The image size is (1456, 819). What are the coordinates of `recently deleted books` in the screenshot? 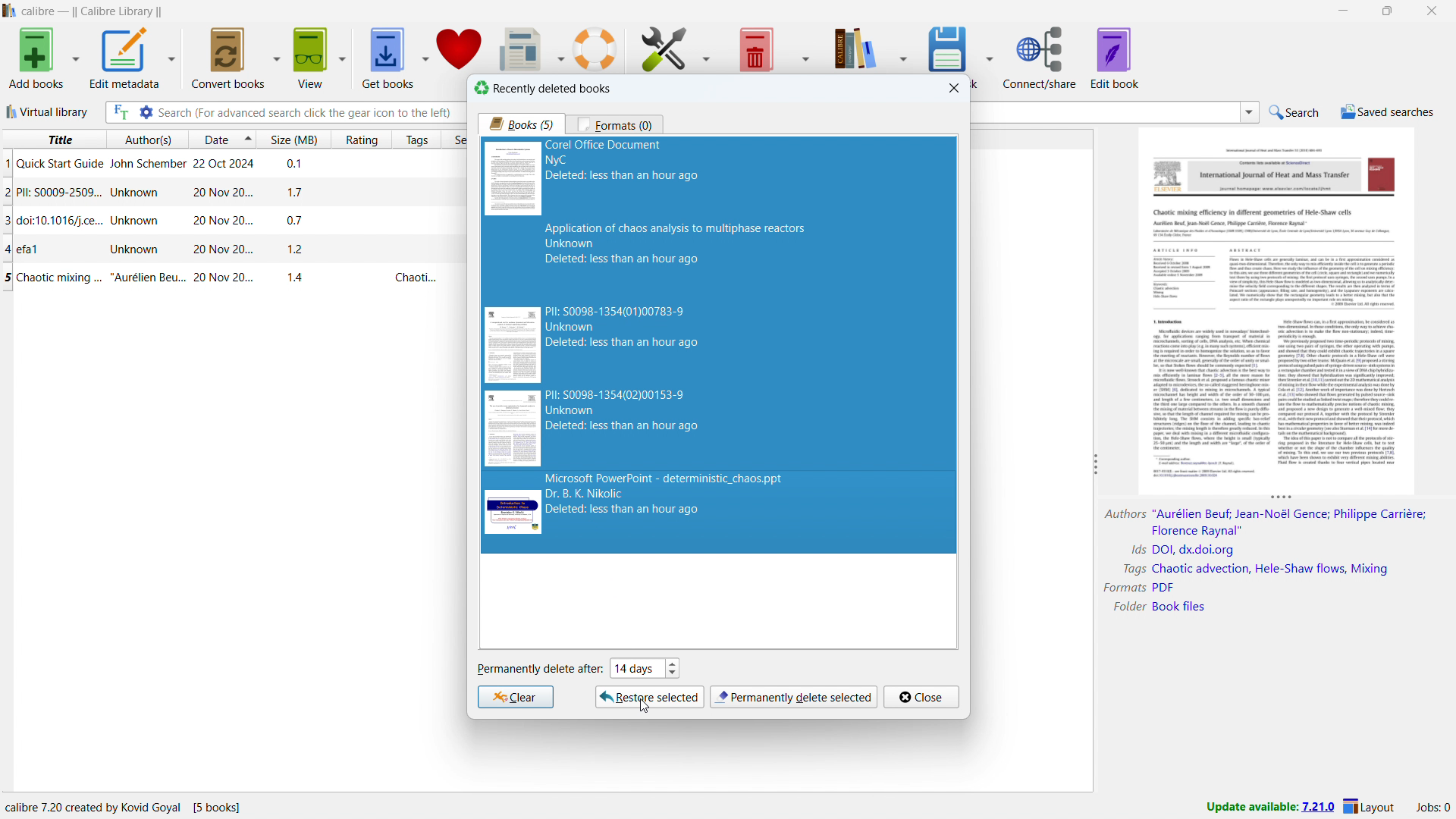 It's located at (542, 88).